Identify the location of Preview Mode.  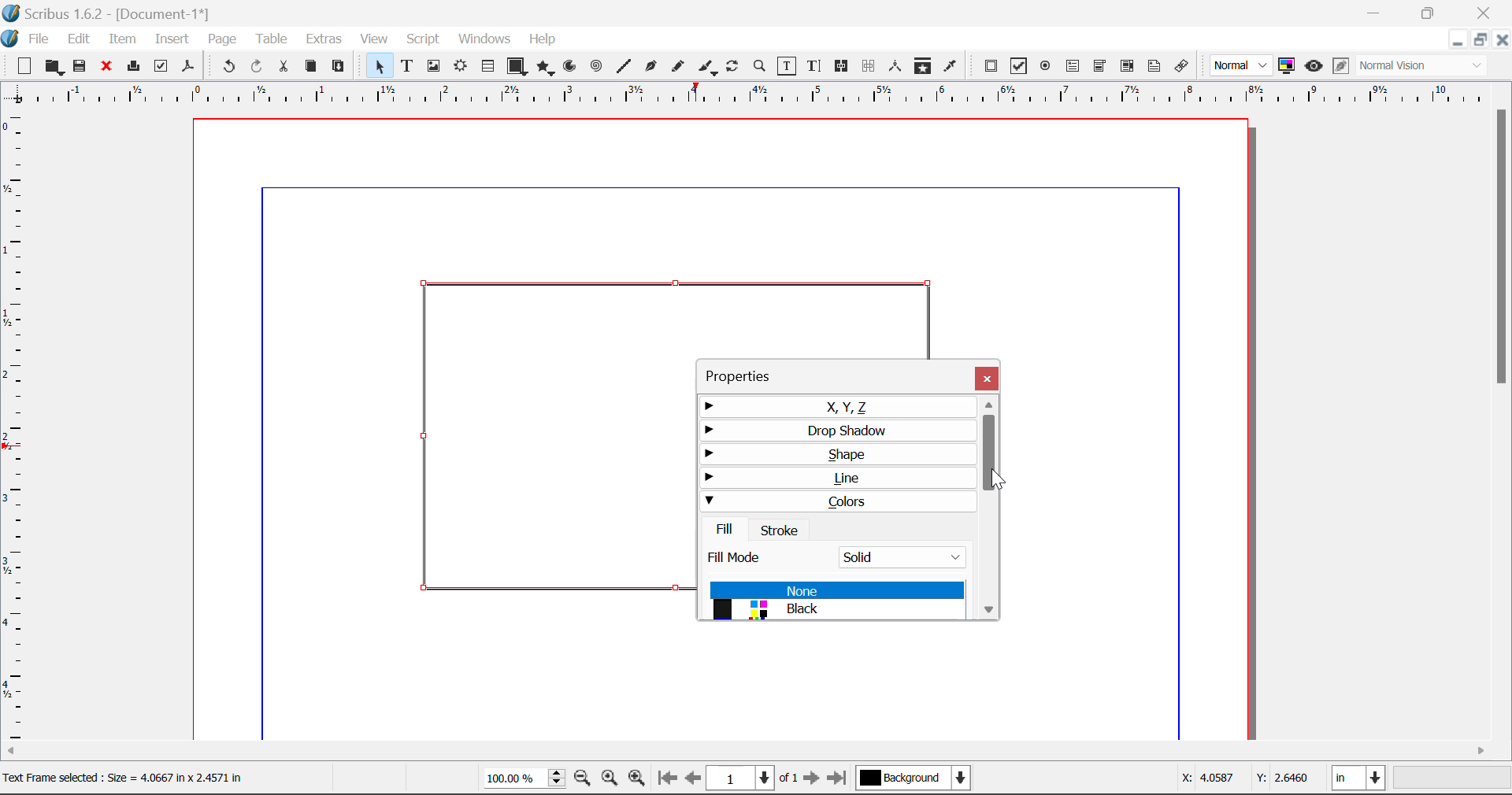
(1314, 66).